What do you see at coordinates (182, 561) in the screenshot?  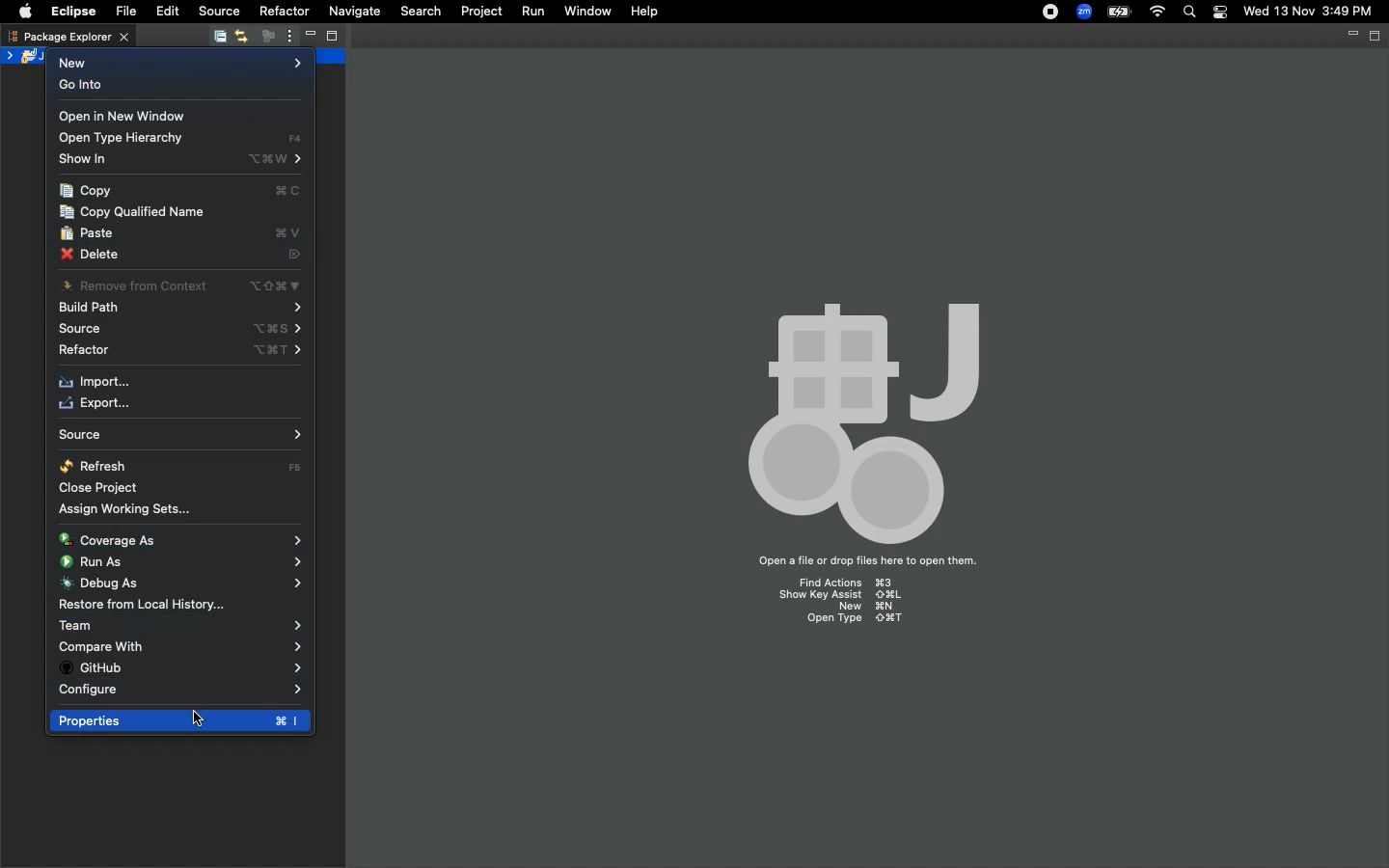 I see `Run as` at bounding box center [182, 561].